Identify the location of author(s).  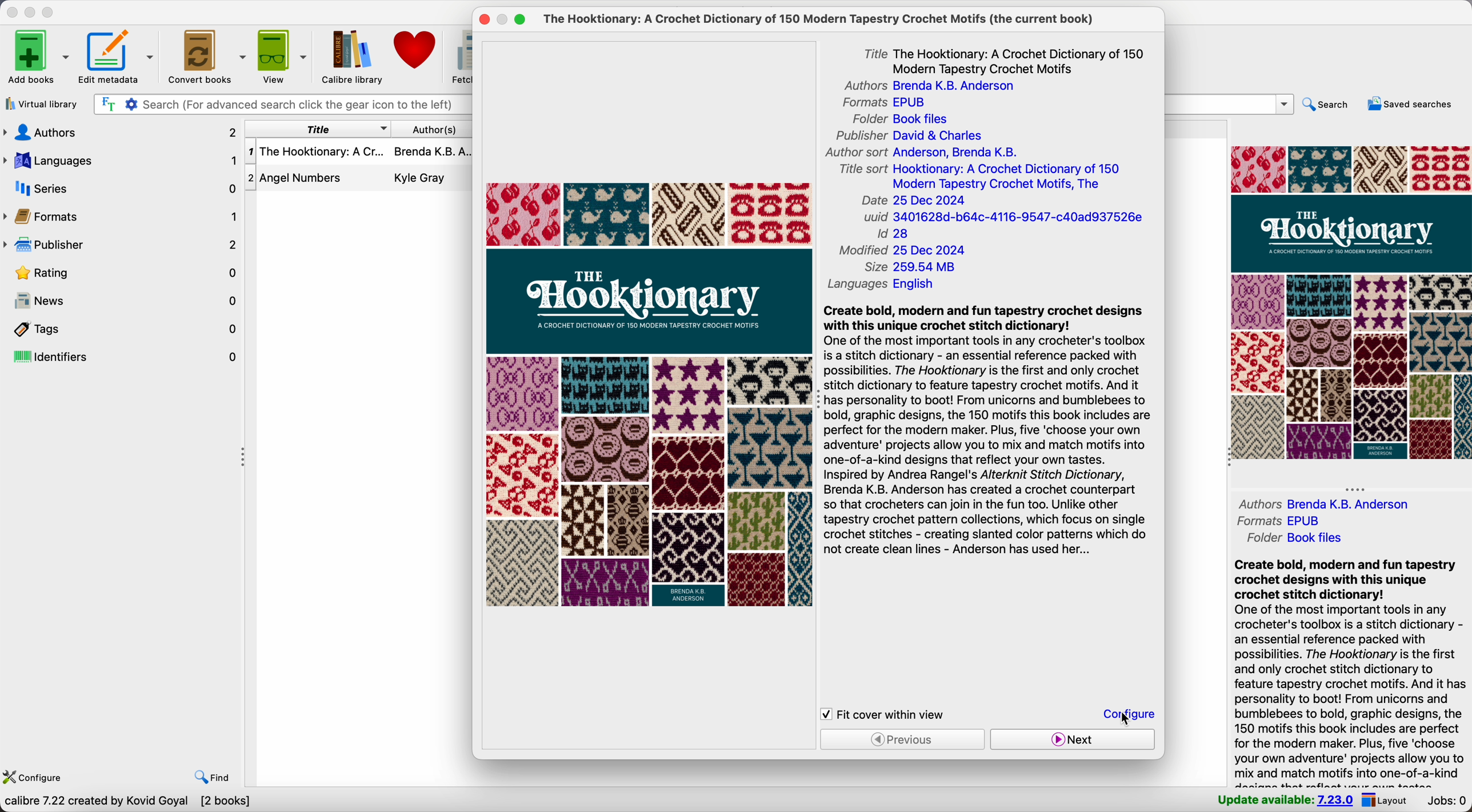
(434, 129).